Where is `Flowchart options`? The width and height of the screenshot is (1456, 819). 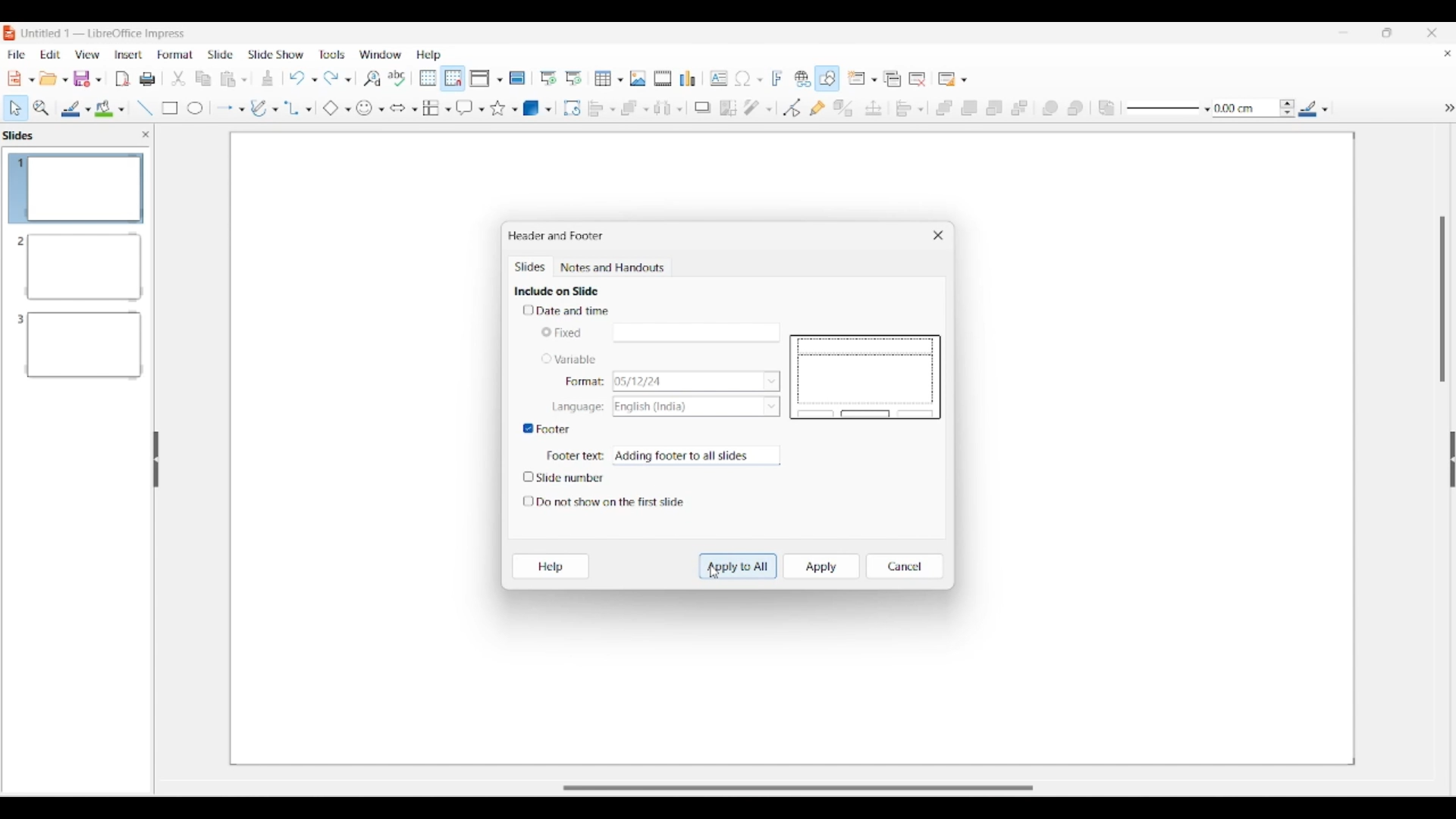
Flowchart options is located at coordinates (436, 108).